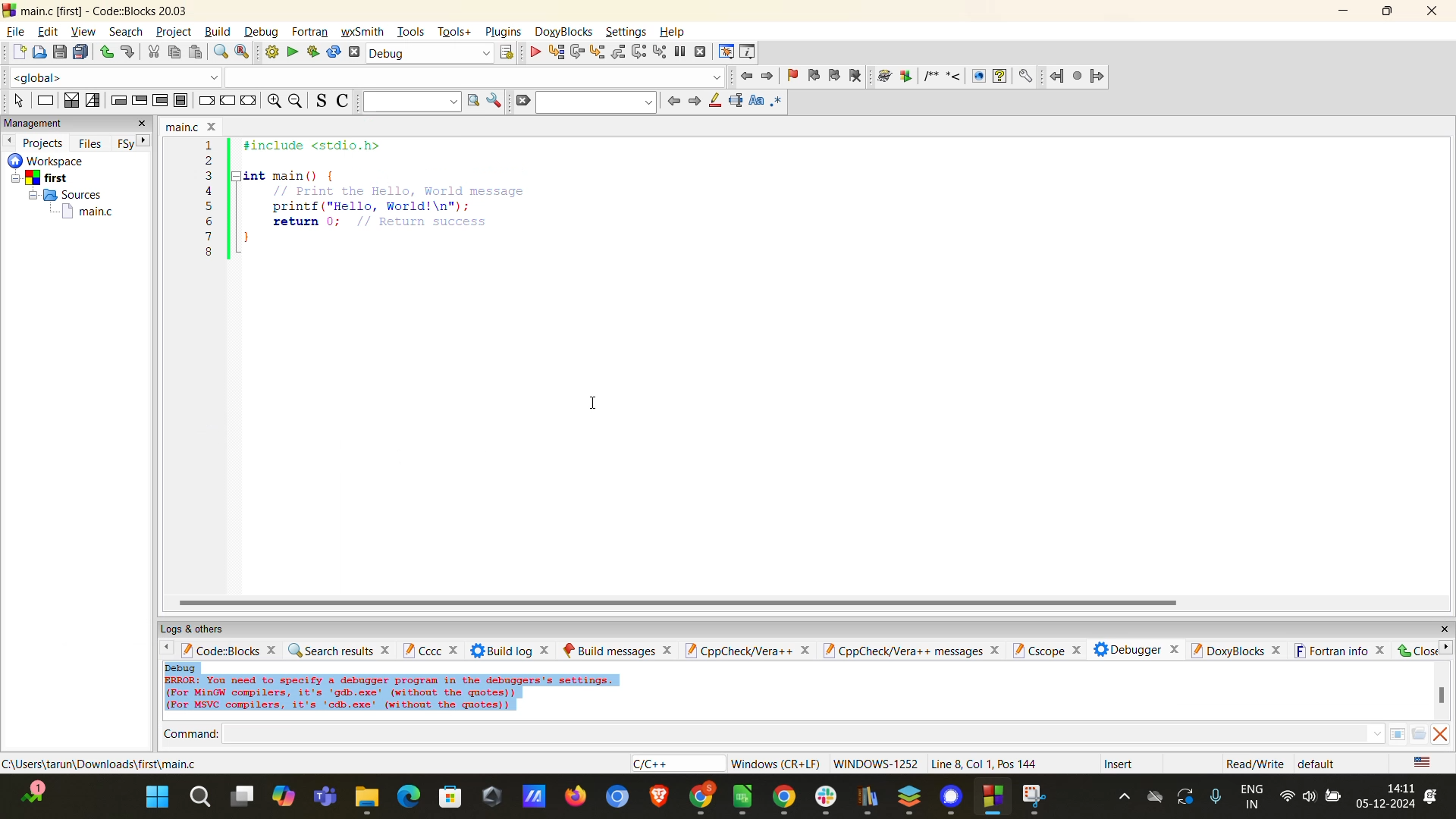 The width and height of the screenshot is (1456, 819). I want to click on back, so click(161, 649).